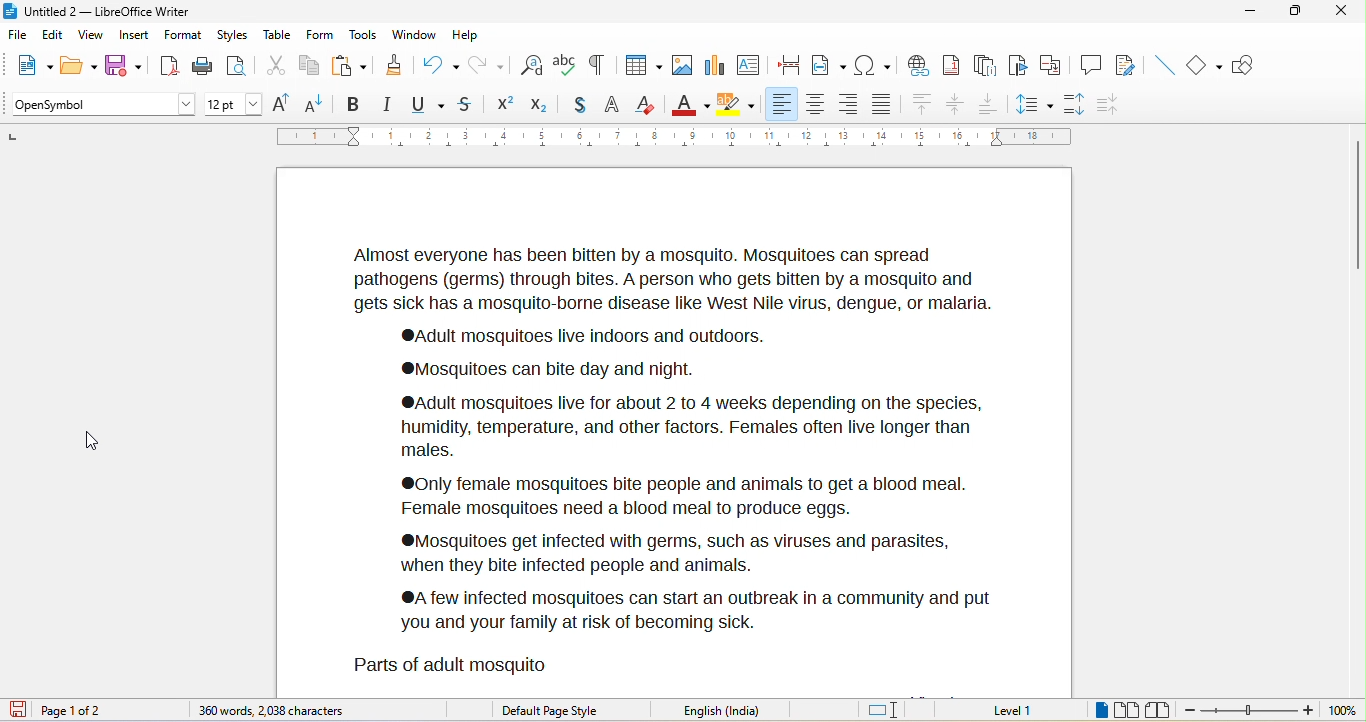  I want to click on background color, so click(739, 101).